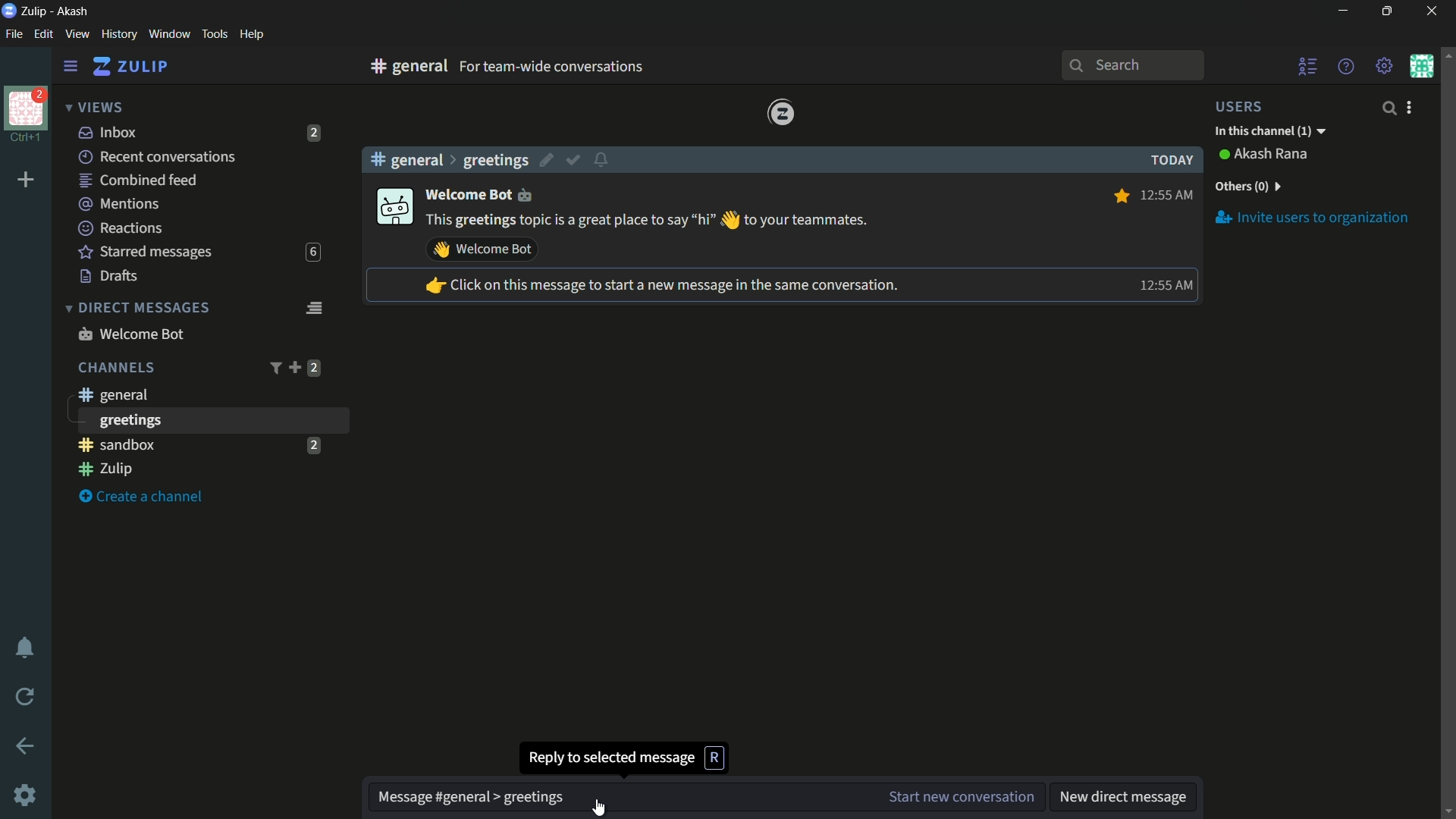 The width and height of the screenshot is (1456, 819). Describe the element at coordinates (145, 497) in the screenshot. I see `create a channel` at that location.